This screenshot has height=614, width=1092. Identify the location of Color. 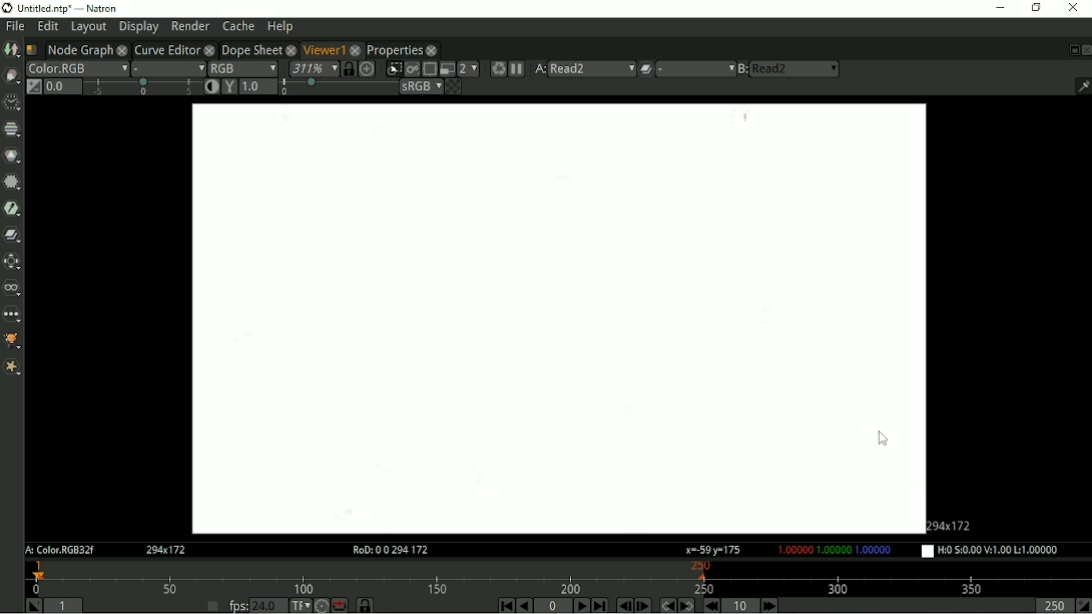
(12, 155).